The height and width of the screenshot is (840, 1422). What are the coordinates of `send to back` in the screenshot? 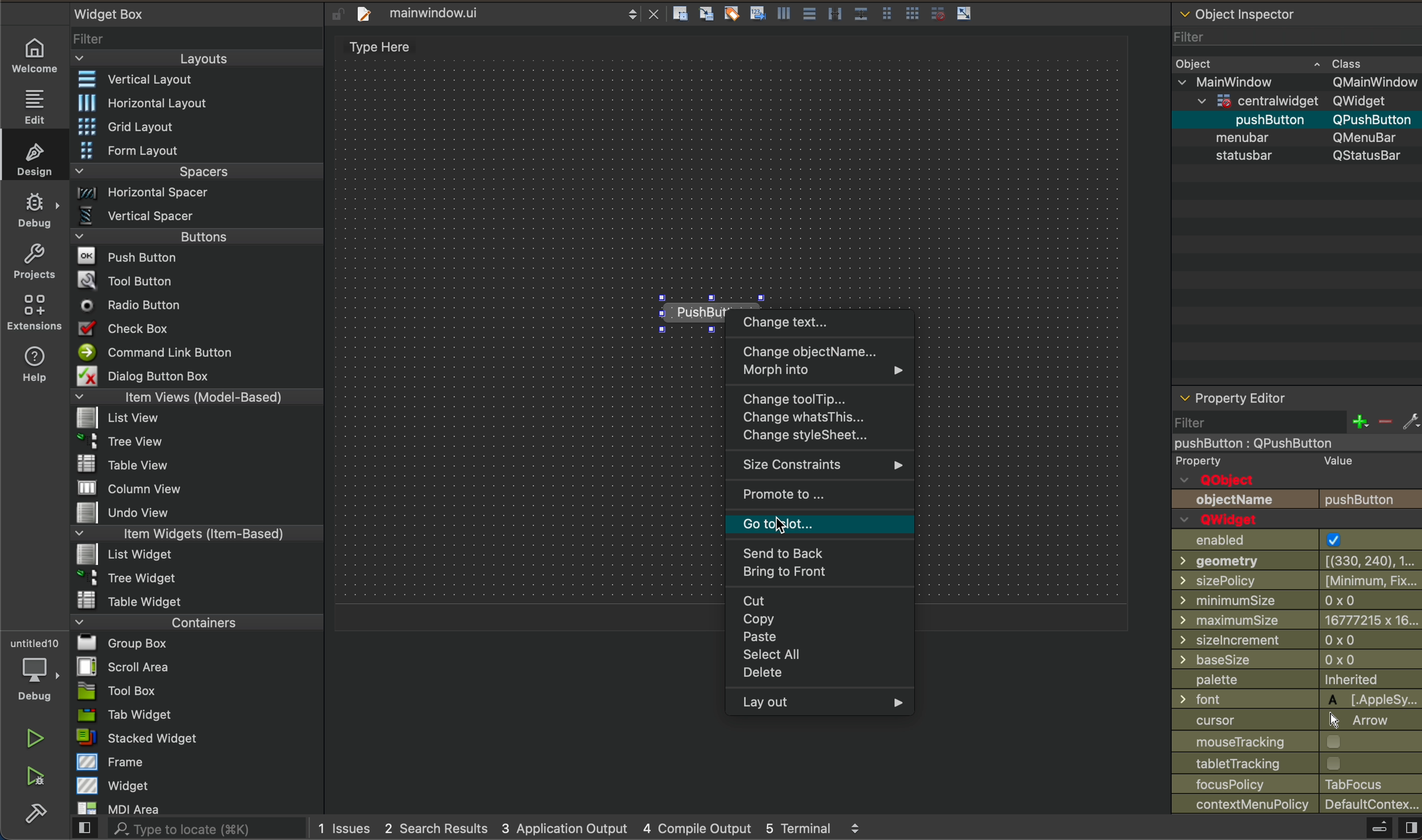 It's located at (825, 554).